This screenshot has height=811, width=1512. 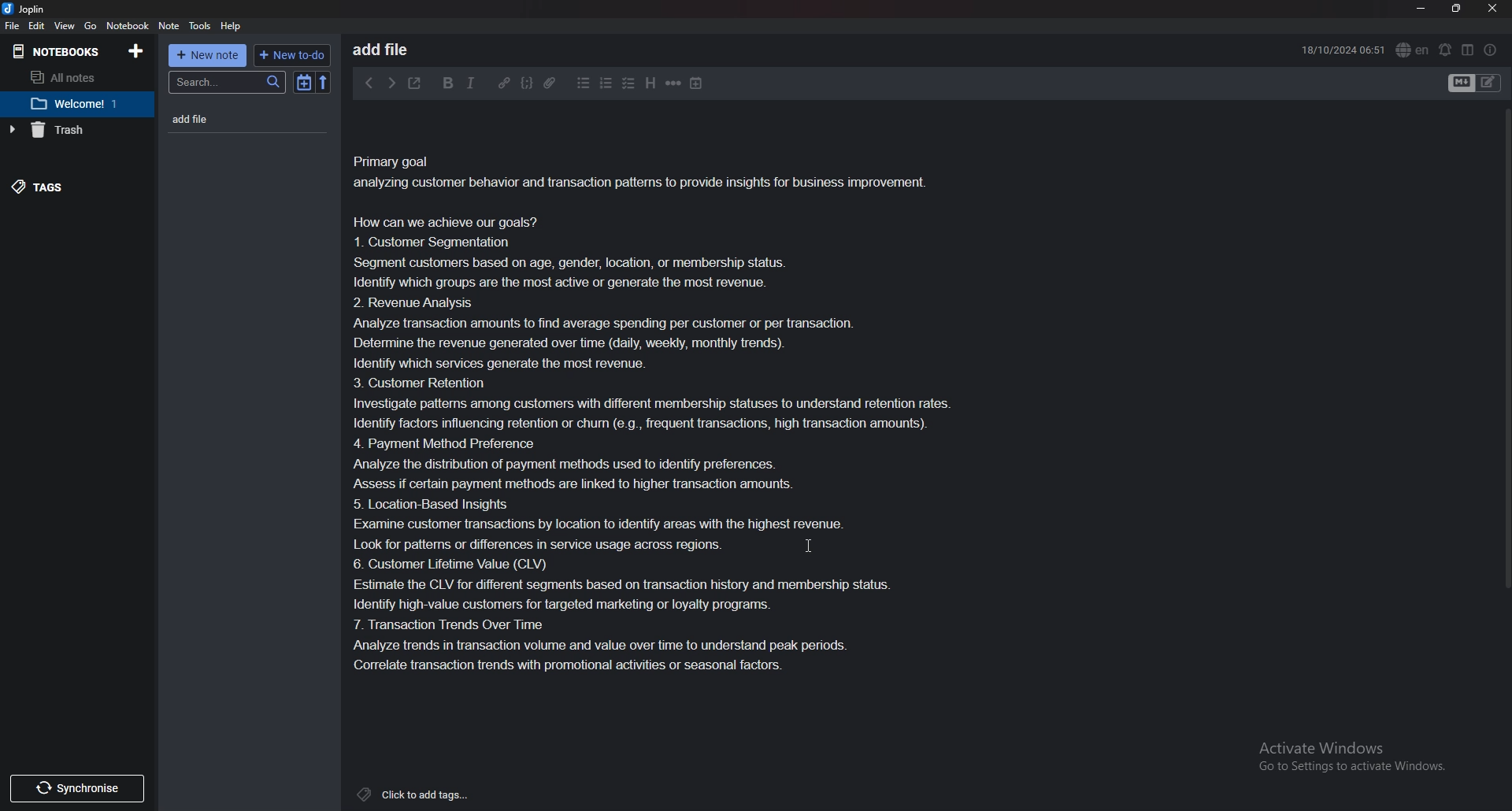 I want to click on tools, so click(x=201, y=27).